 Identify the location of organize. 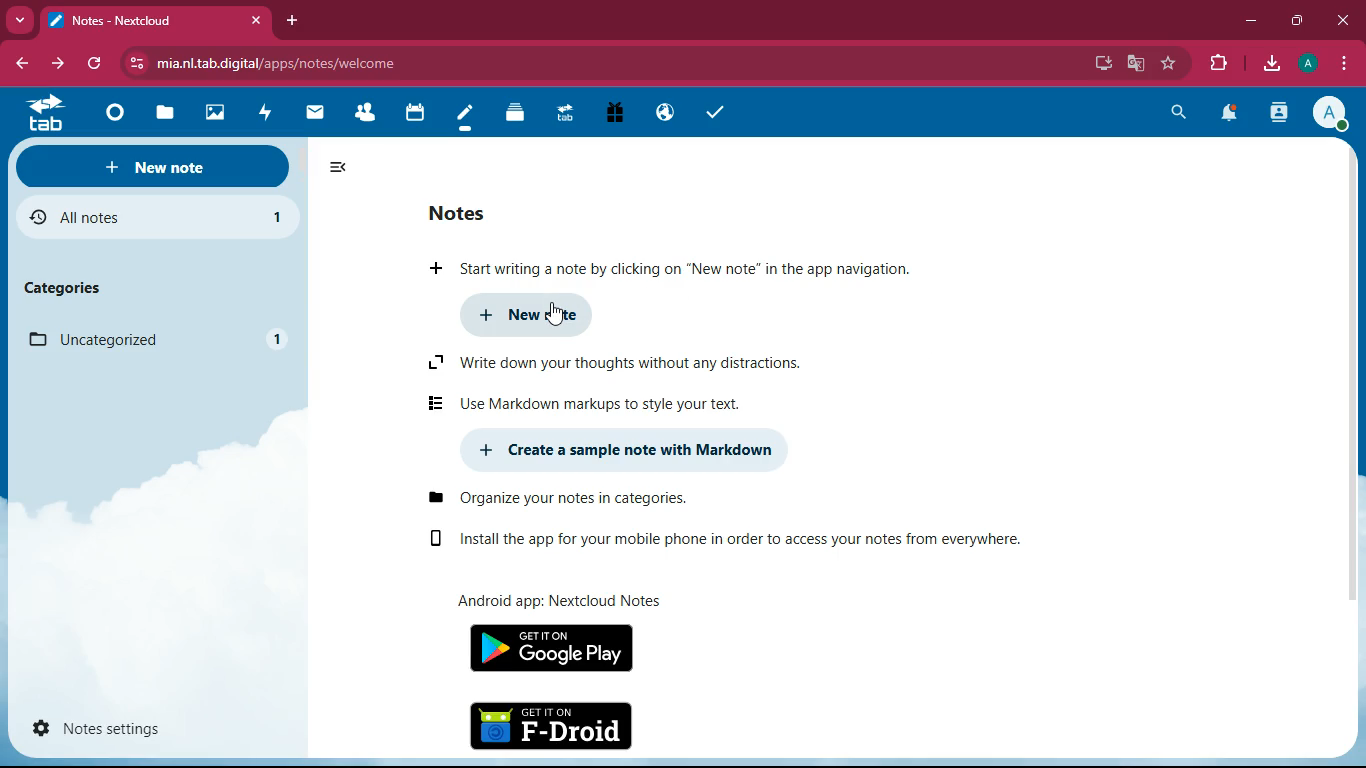
(555, 498).